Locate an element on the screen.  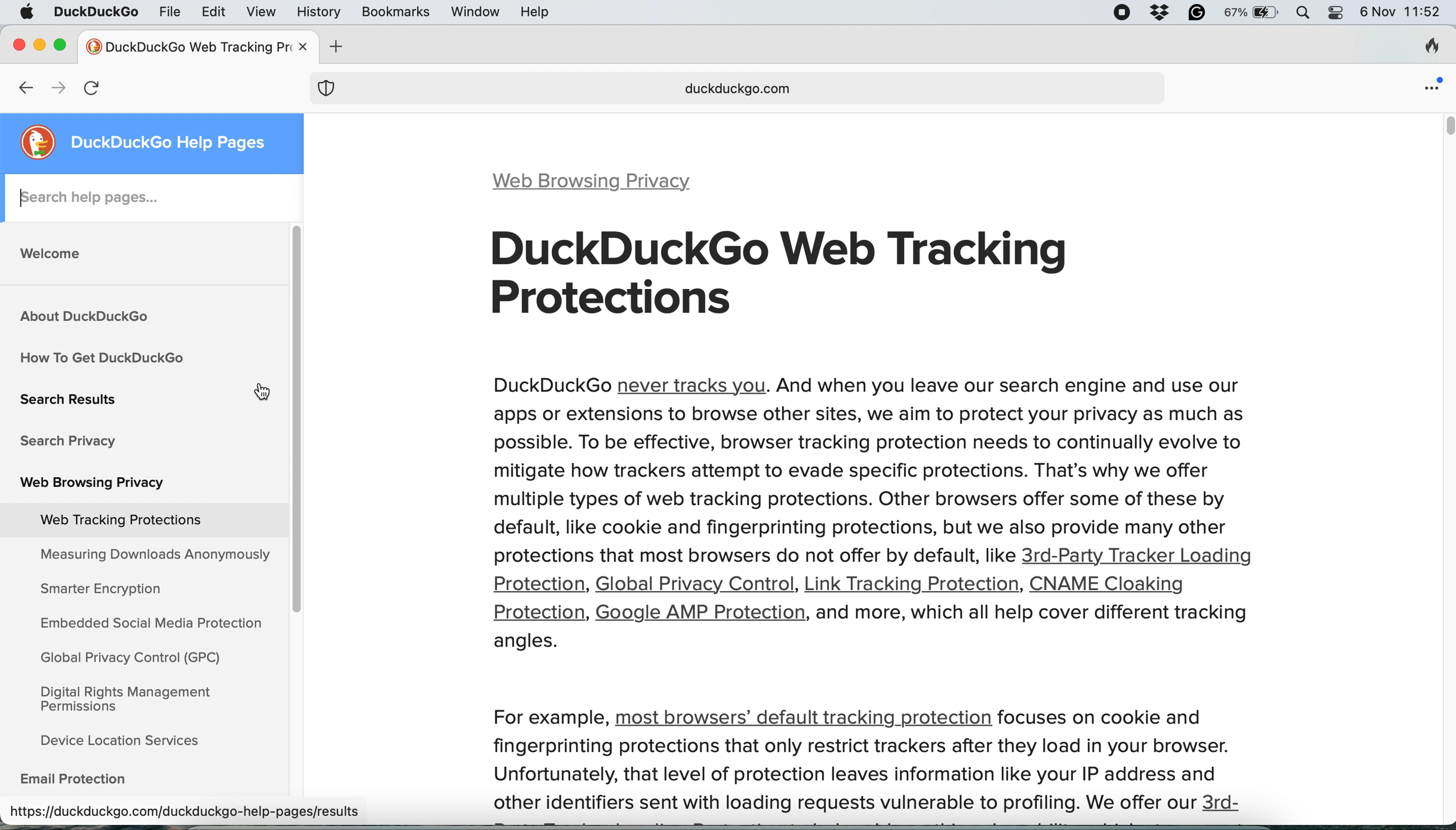
protections that most browsers do not offer by default, like is located at coordinates (739, 552).